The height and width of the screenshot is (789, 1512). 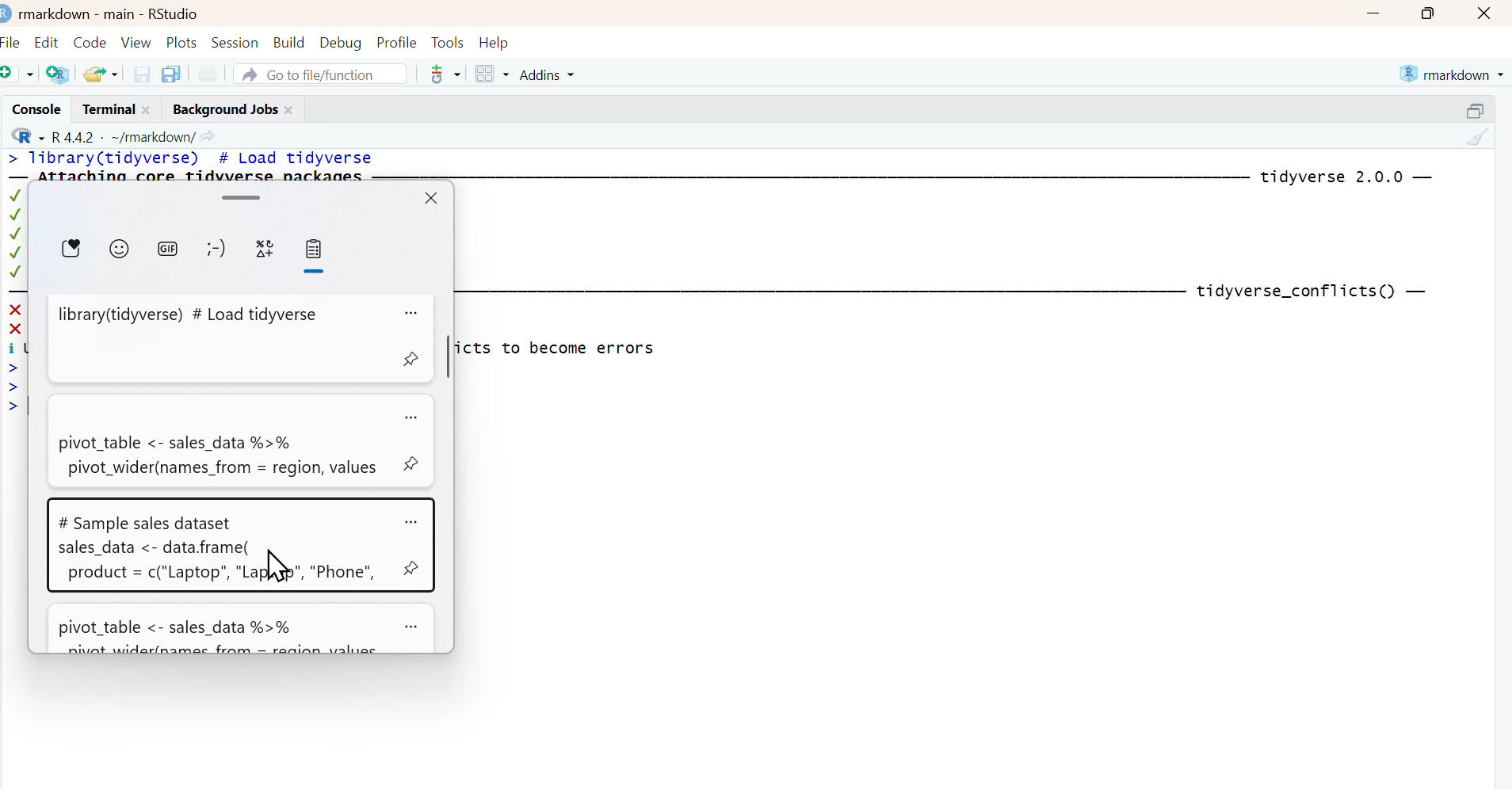 What do you see at coordinates (174, 12) in the screenshot?
I see `RStudio` at bounding box center [174, 12].